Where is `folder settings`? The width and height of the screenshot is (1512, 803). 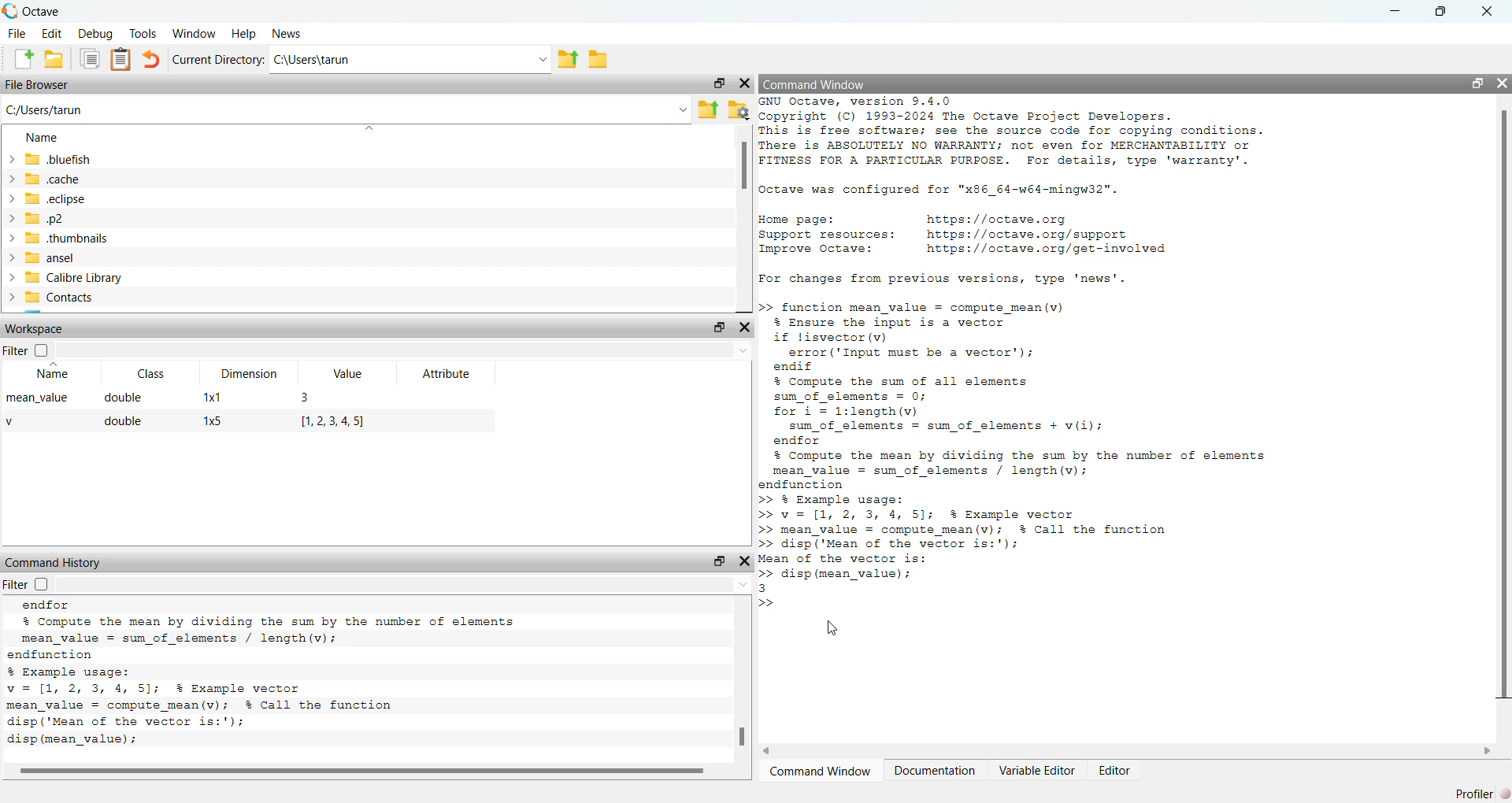 folder settings is located at coordinates (740, 112).